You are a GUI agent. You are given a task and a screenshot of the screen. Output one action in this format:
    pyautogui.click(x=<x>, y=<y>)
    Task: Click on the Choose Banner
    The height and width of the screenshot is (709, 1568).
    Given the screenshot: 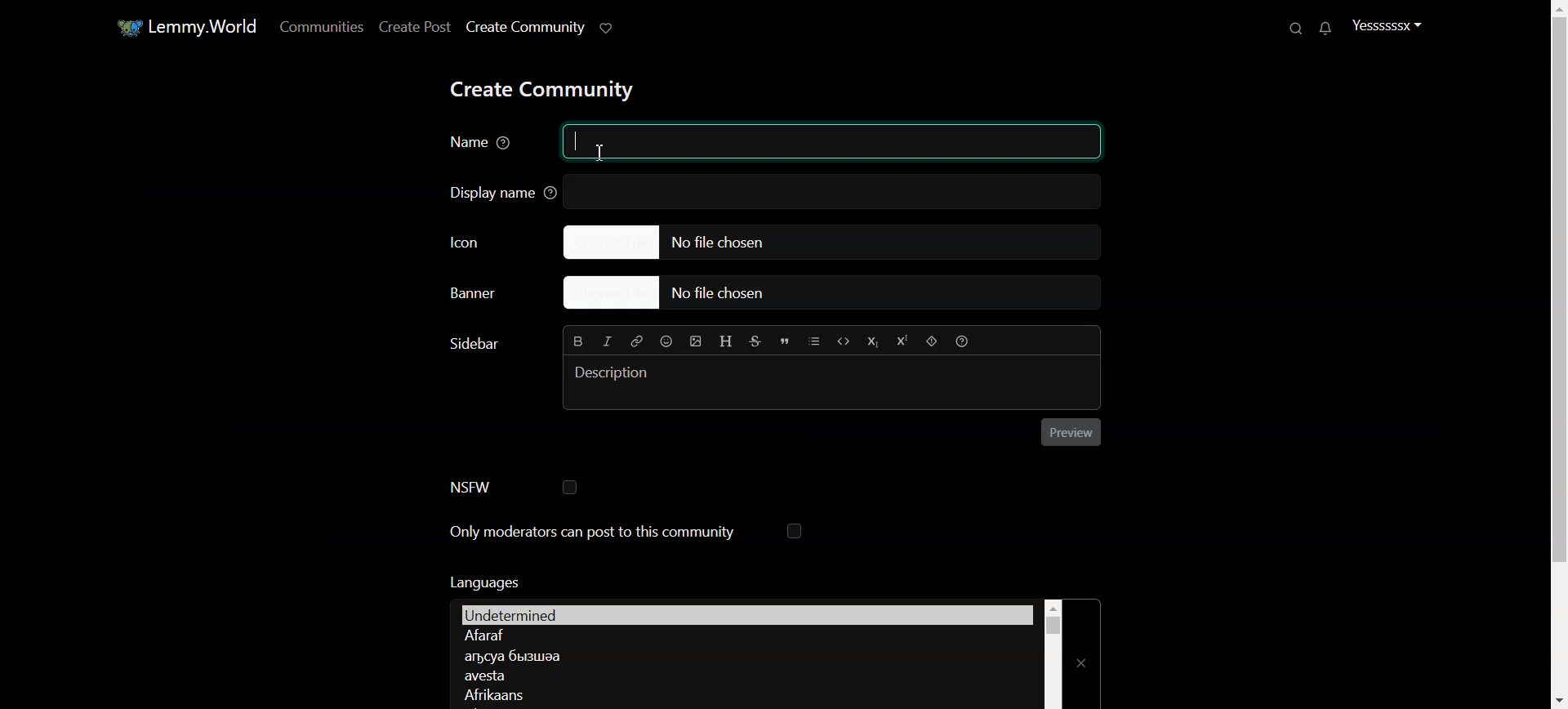 What is the action you would take?
    pyautogui.click(x=488, y=297)
    